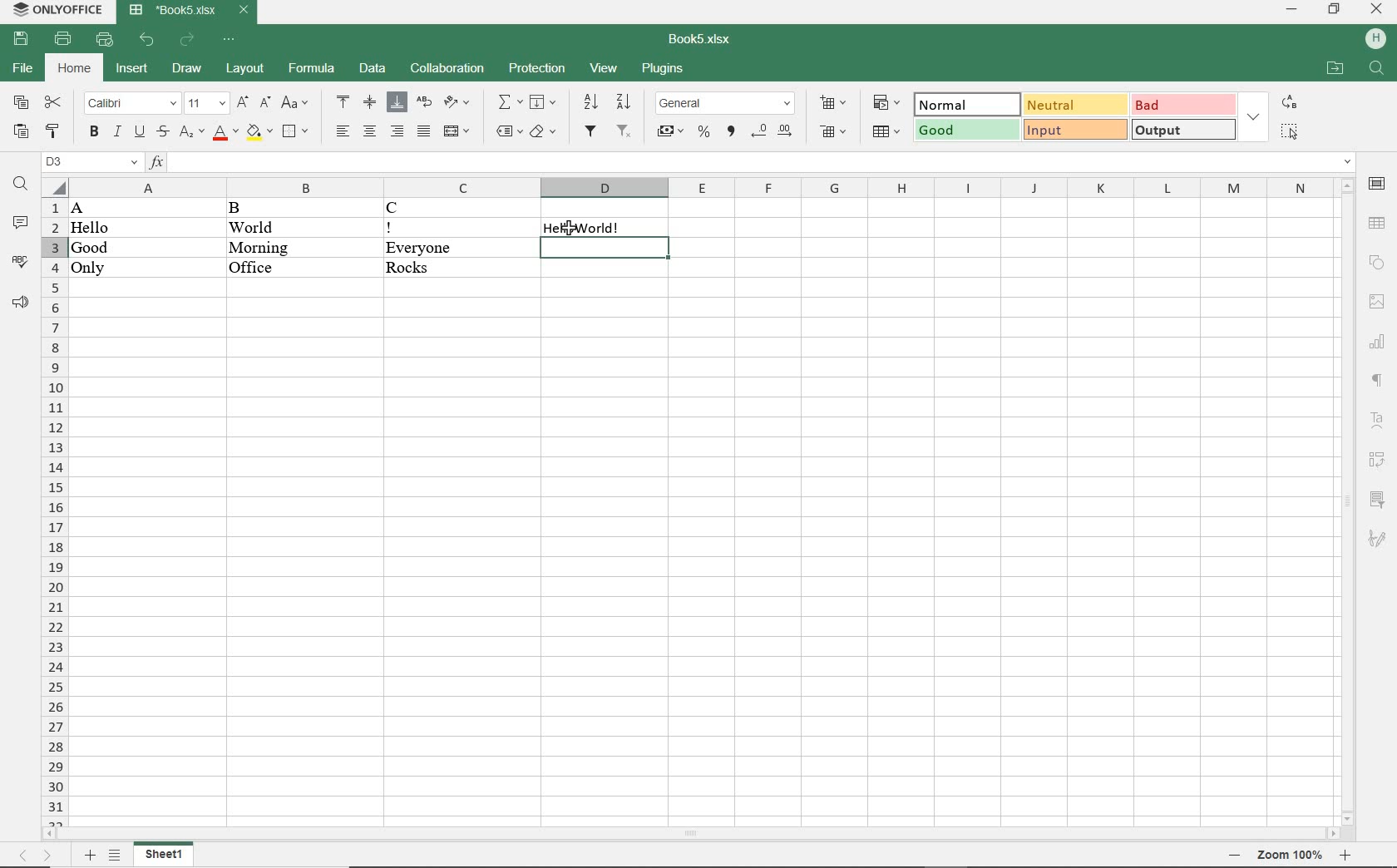 The image size is (1397, 868). What do you see at coordinates (22, 184) in the screenshot?
I see `FIND` at bounding box center [22, 184].